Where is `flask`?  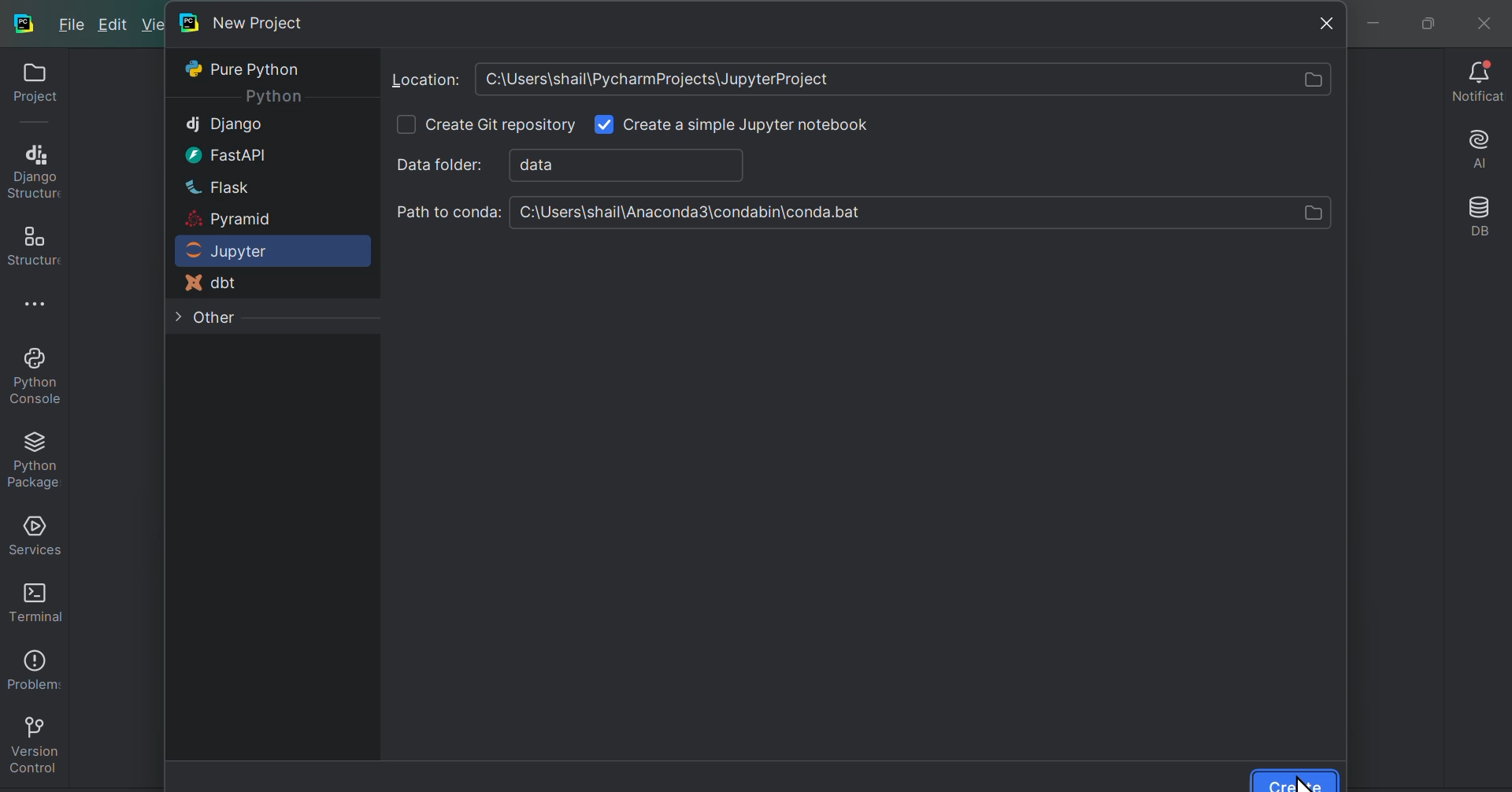 flask is located at coordinates (216, 186).